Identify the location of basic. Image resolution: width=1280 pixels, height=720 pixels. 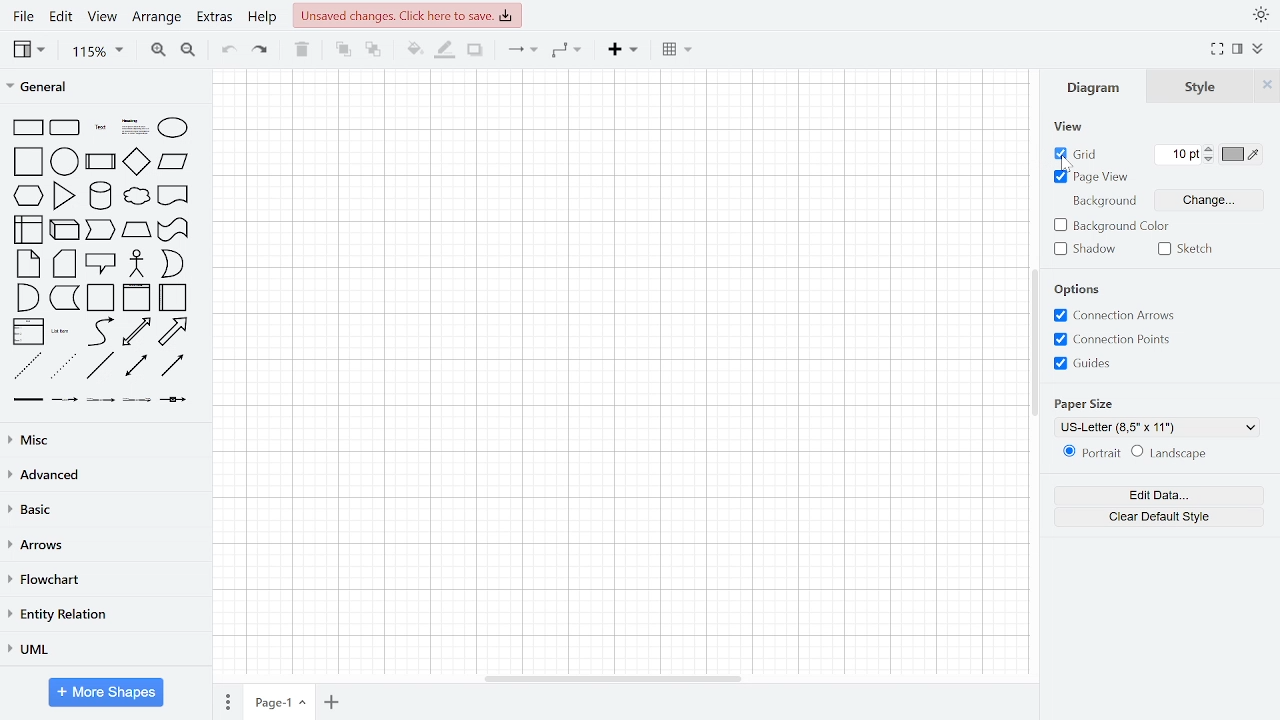
(102, 509).